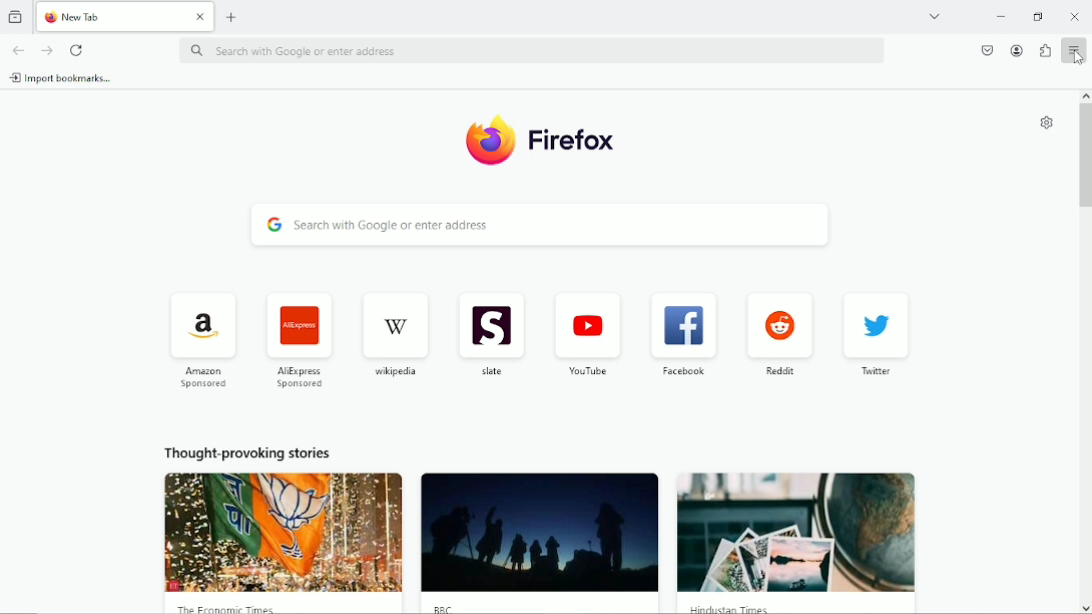 This screenshot has width=1092, height=614. Describe the element at coordinates (530, 52) in the screenshot. I see `search bar` at that location.